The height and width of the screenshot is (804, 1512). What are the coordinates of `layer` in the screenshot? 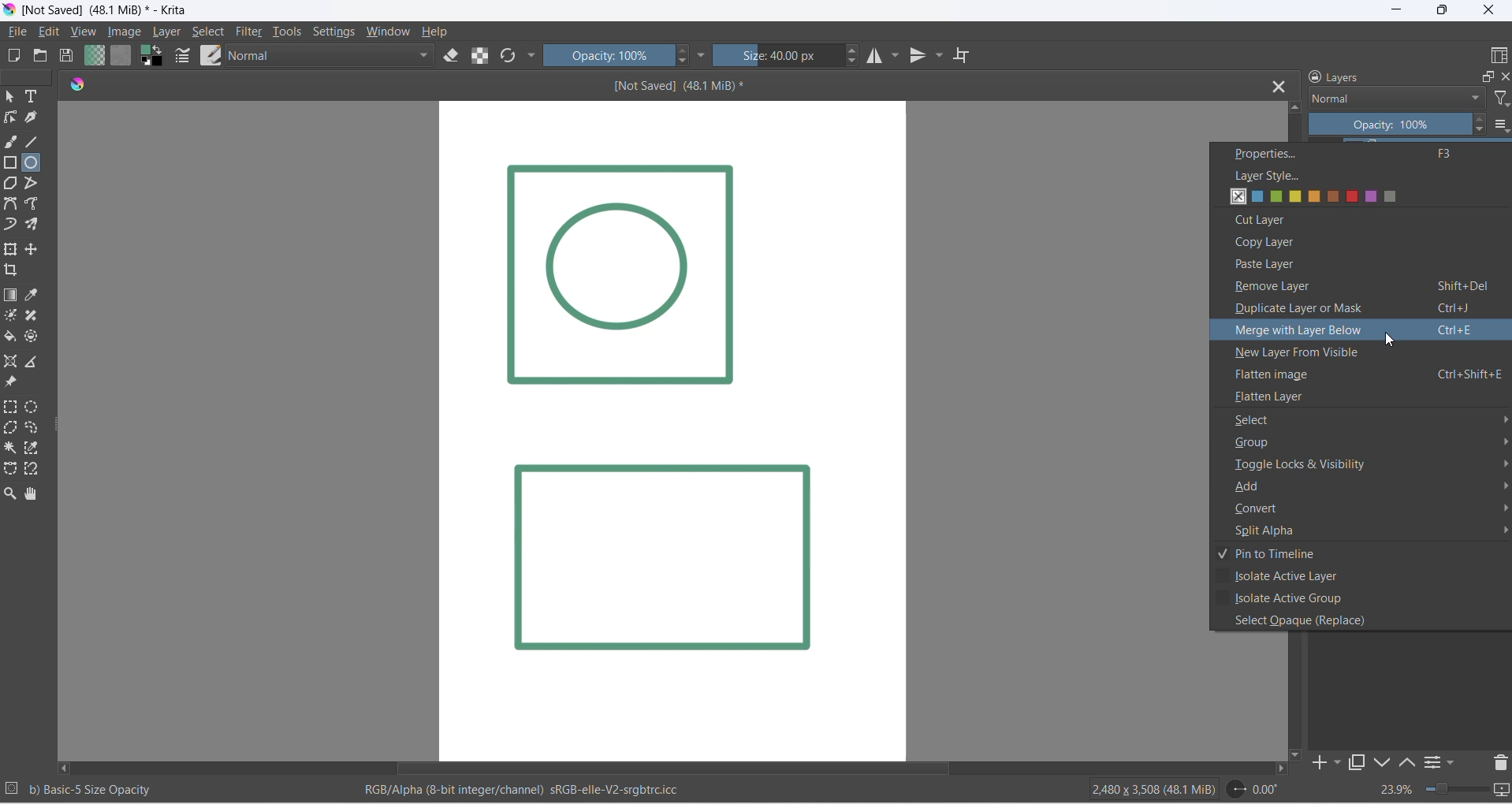 It's located at (173, 33).